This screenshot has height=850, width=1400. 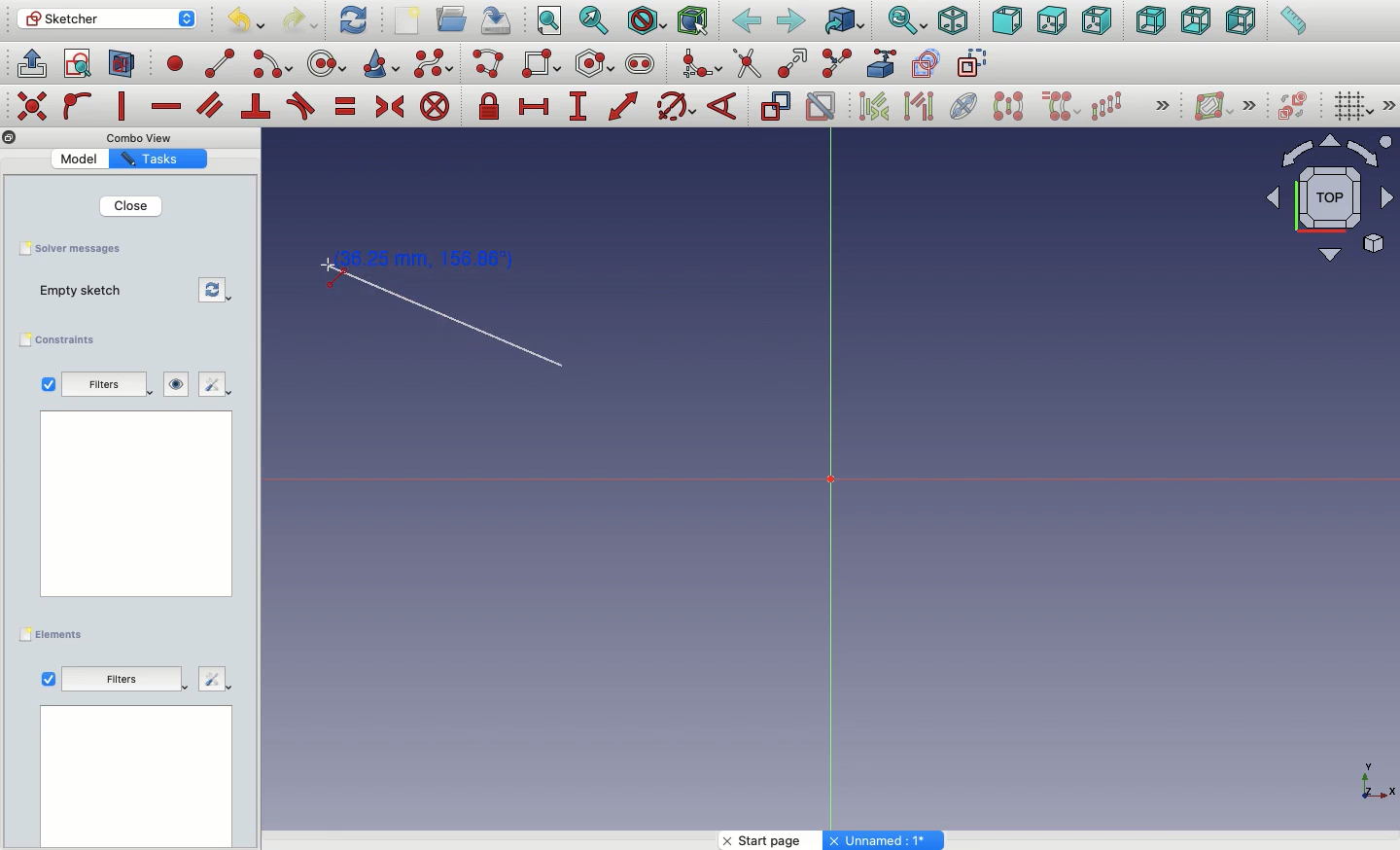 What do you see at coordinates (746, 22) in the screenshot?
I see `Back` at bounding box center [746, 22].